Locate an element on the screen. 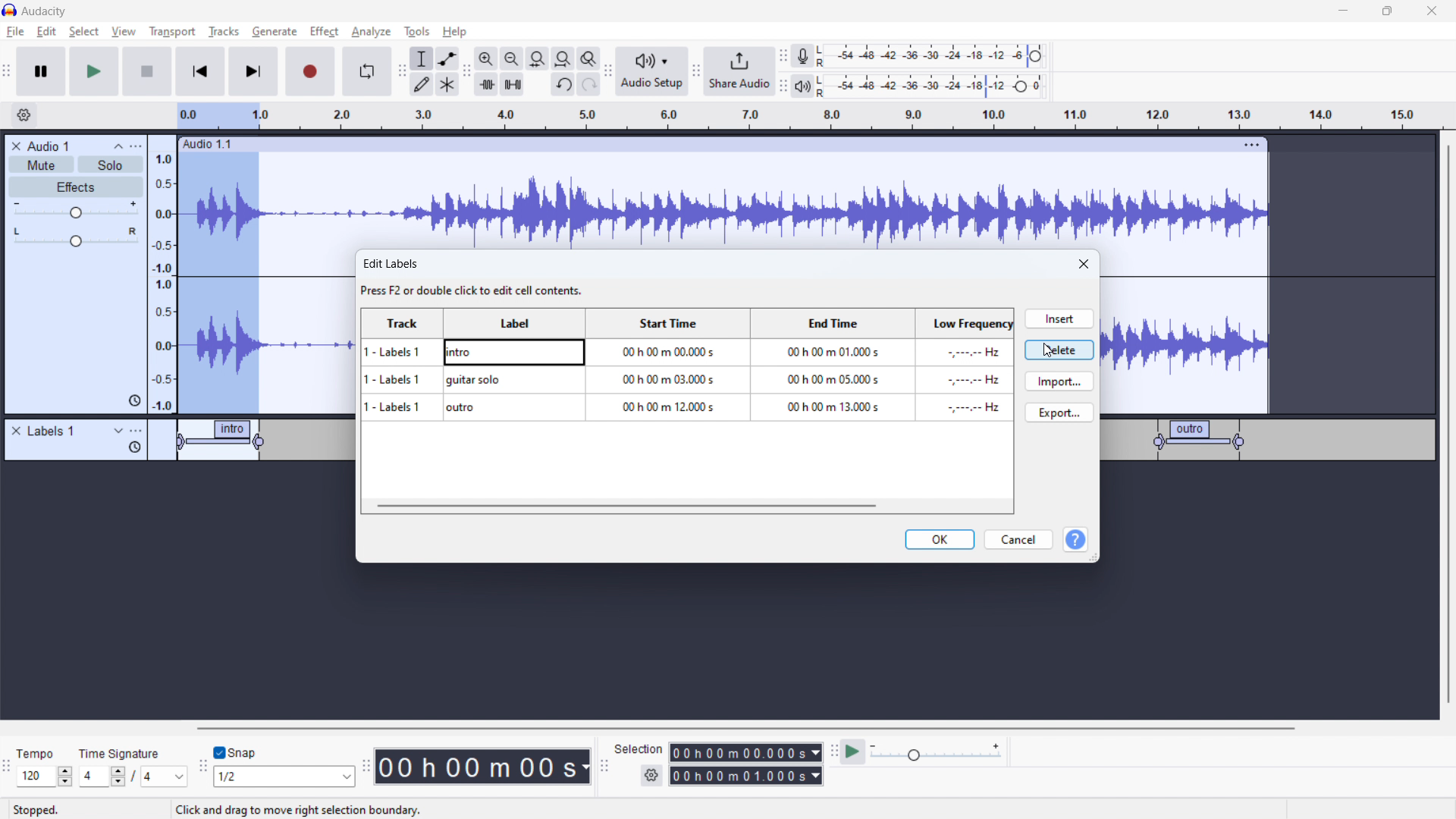 Image resolution: width=1456 pixels, height=819 pixels. vertical scrollbar is located at coordinates (1446, 426).